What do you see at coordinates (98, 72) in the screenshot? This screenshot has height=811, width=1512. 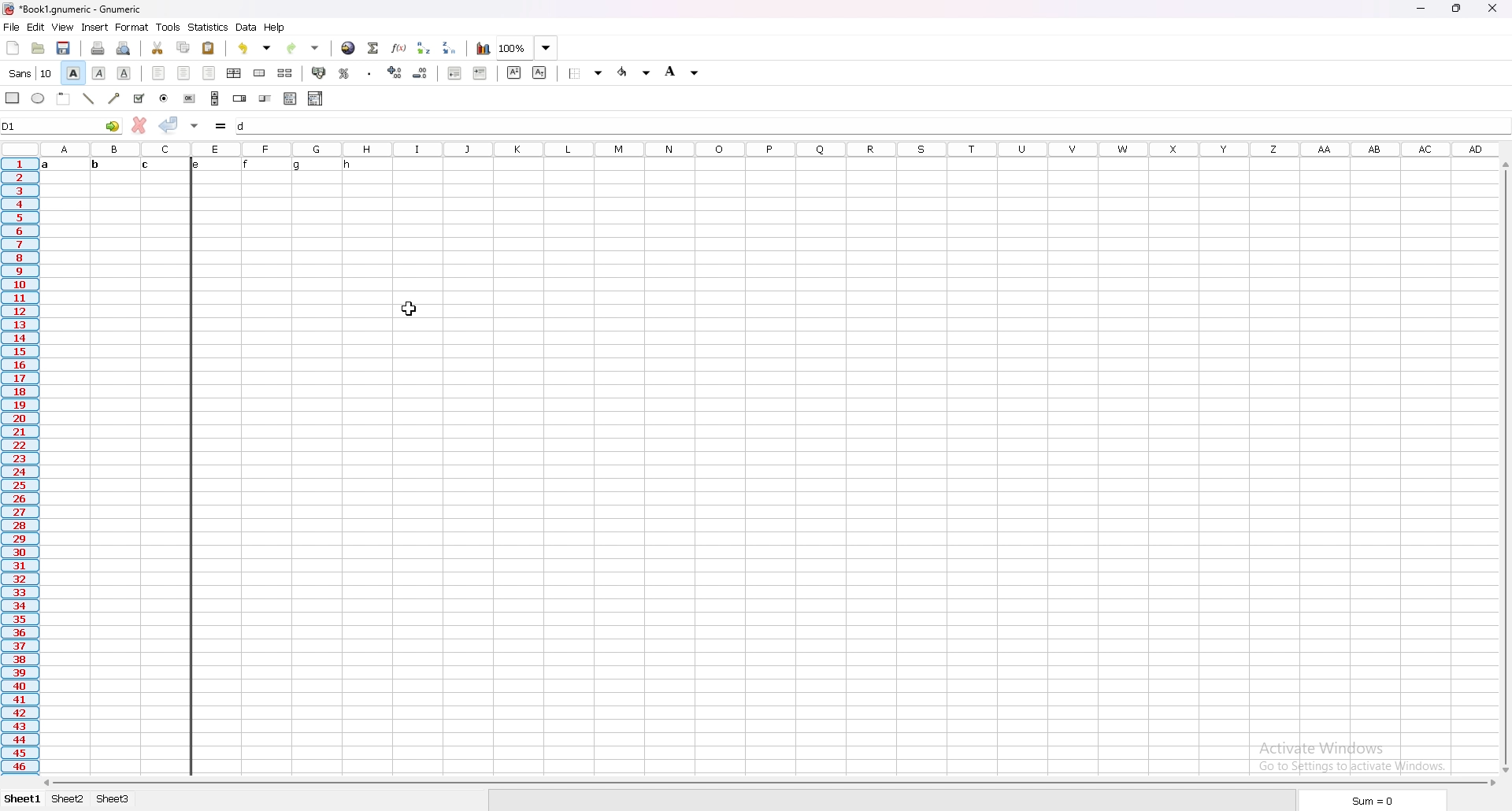 I see `italic` at bounding box center [98, 72].